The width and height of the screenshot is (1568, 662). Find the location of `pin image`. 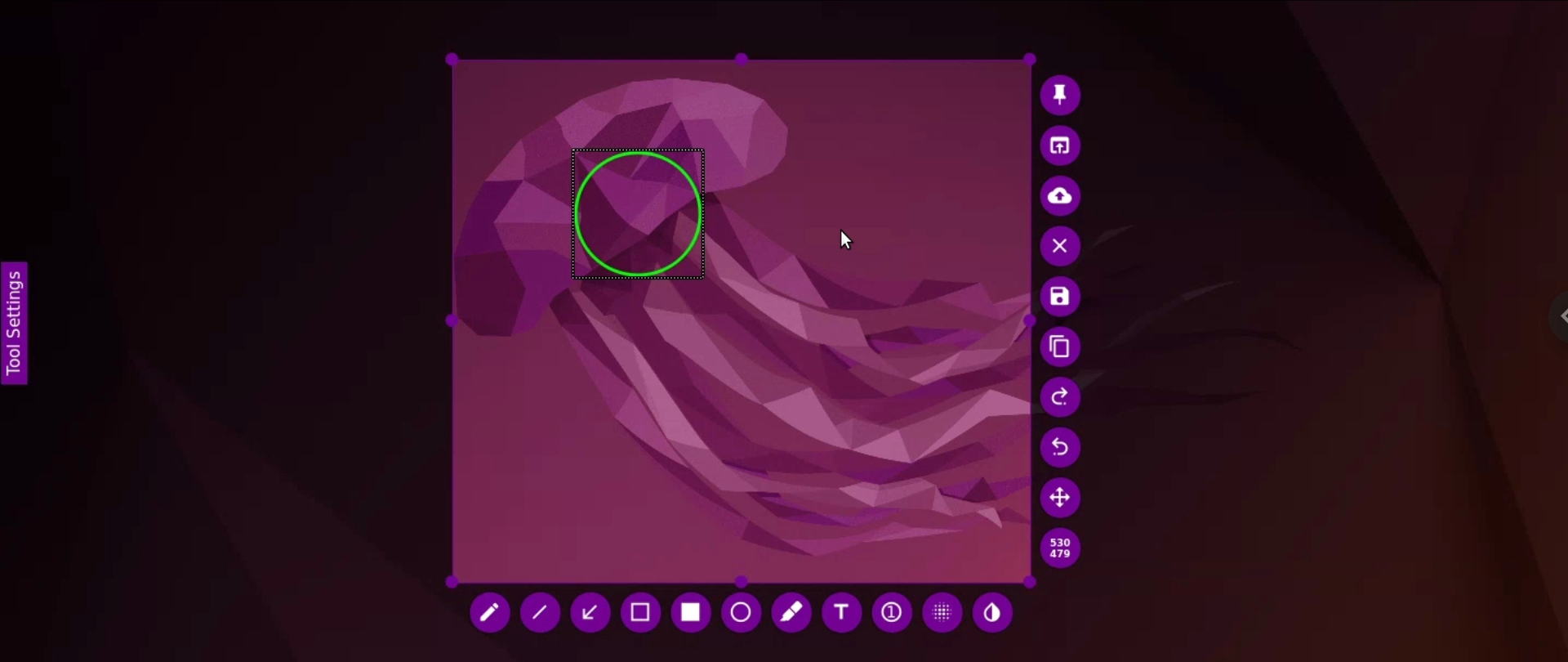

pin image is located at coordinates (1057, 92).